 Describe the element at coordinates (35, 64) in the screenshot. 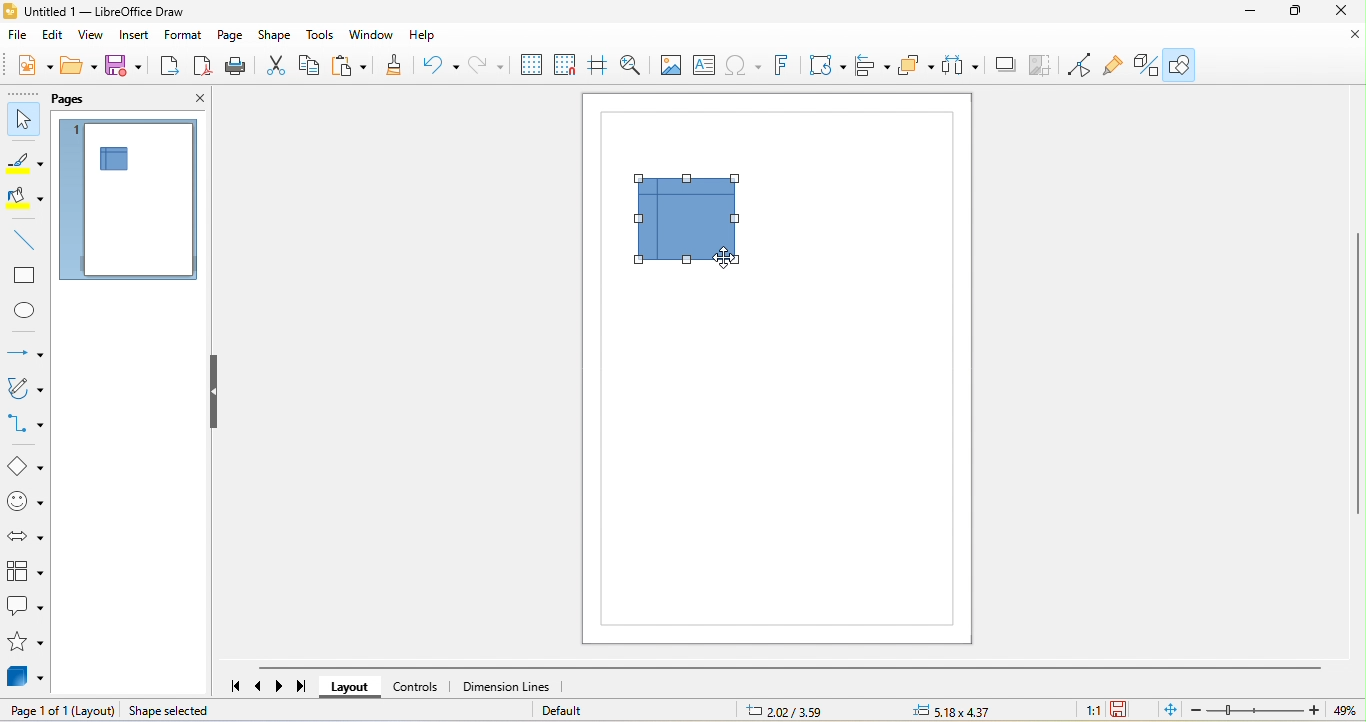

I see `new` at that location.